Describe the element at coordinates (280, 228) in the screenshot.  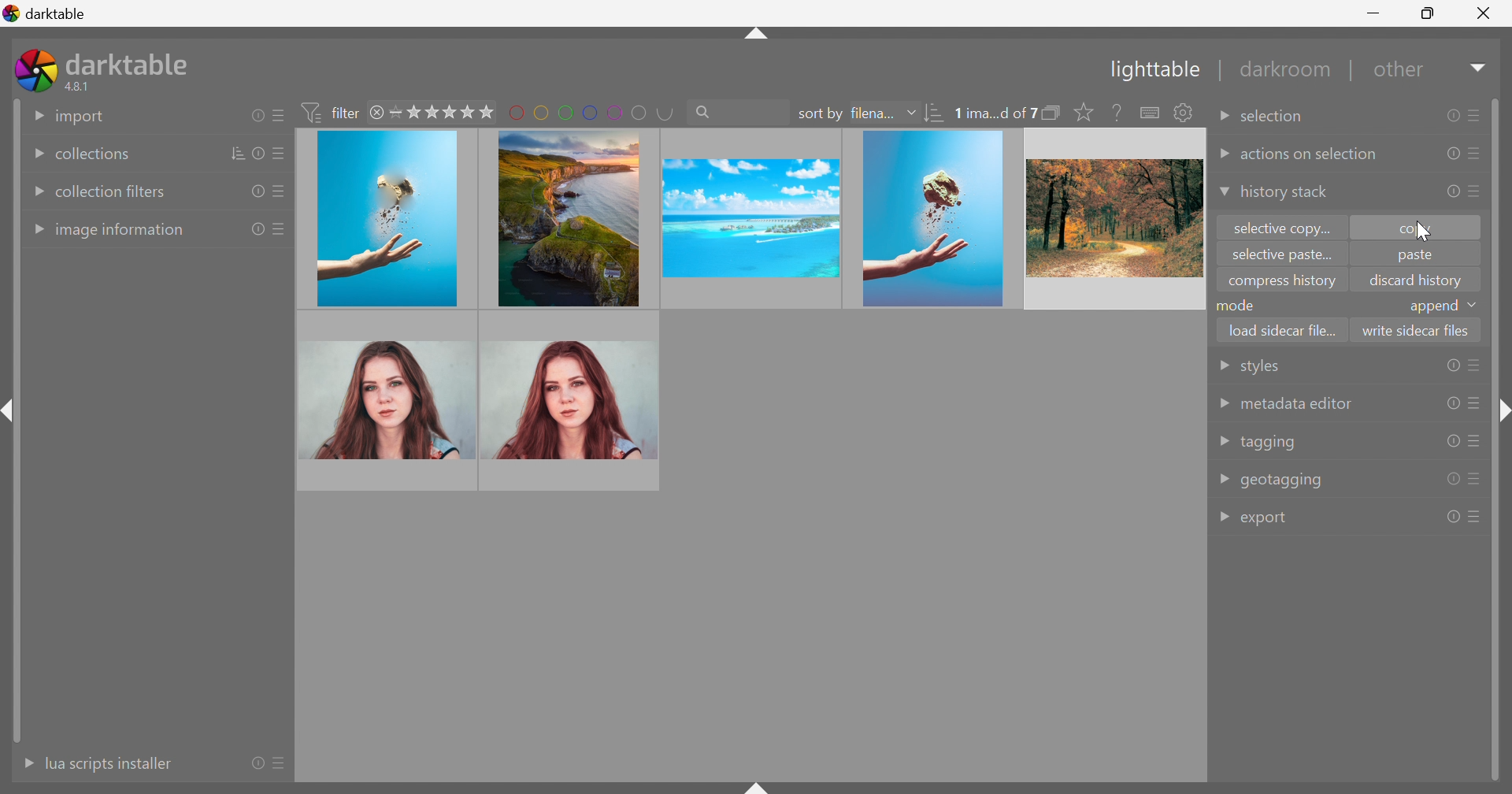
I see `presets` at that location.